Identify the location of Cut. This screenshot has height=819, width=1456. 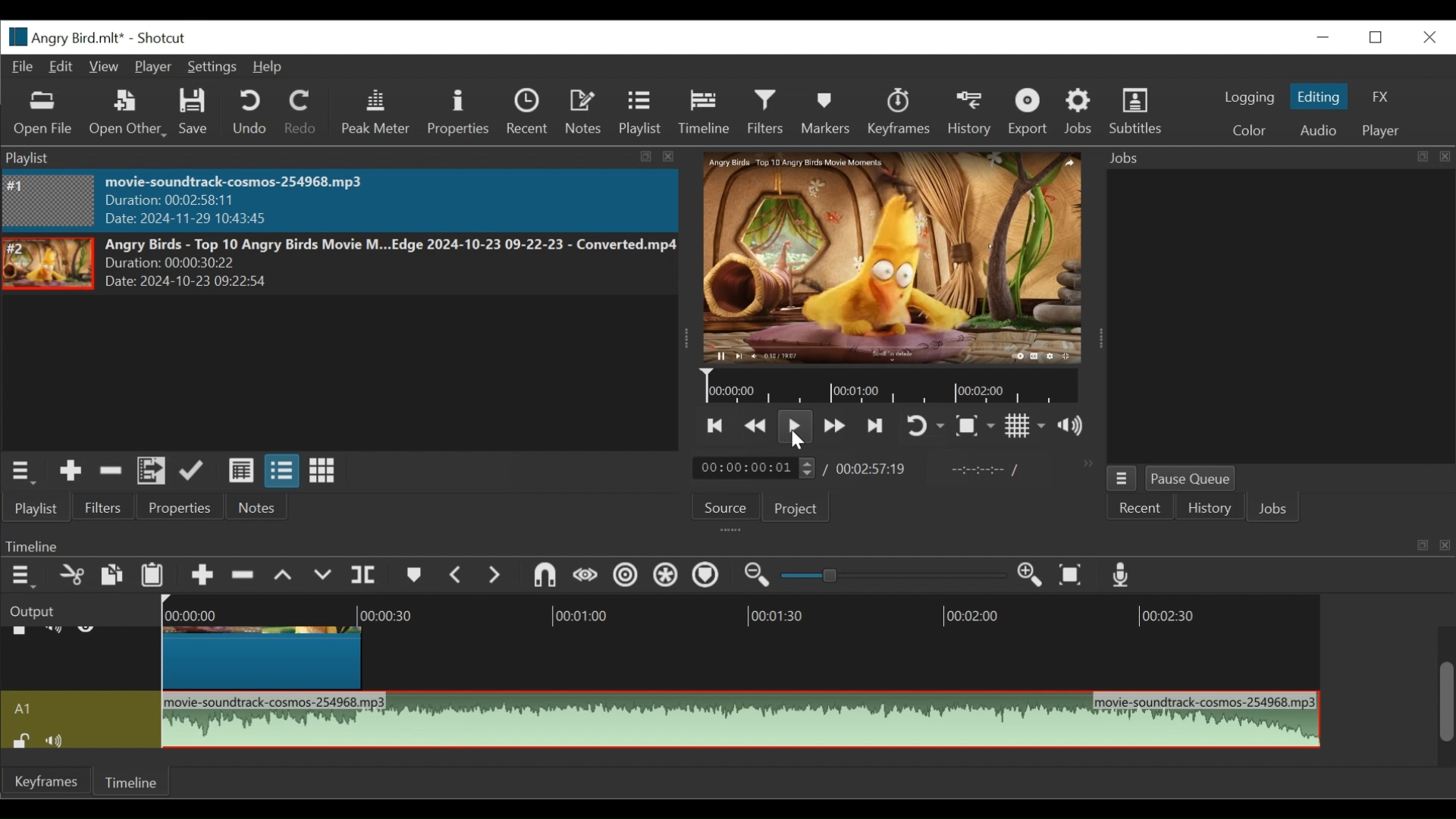
(71, 576).